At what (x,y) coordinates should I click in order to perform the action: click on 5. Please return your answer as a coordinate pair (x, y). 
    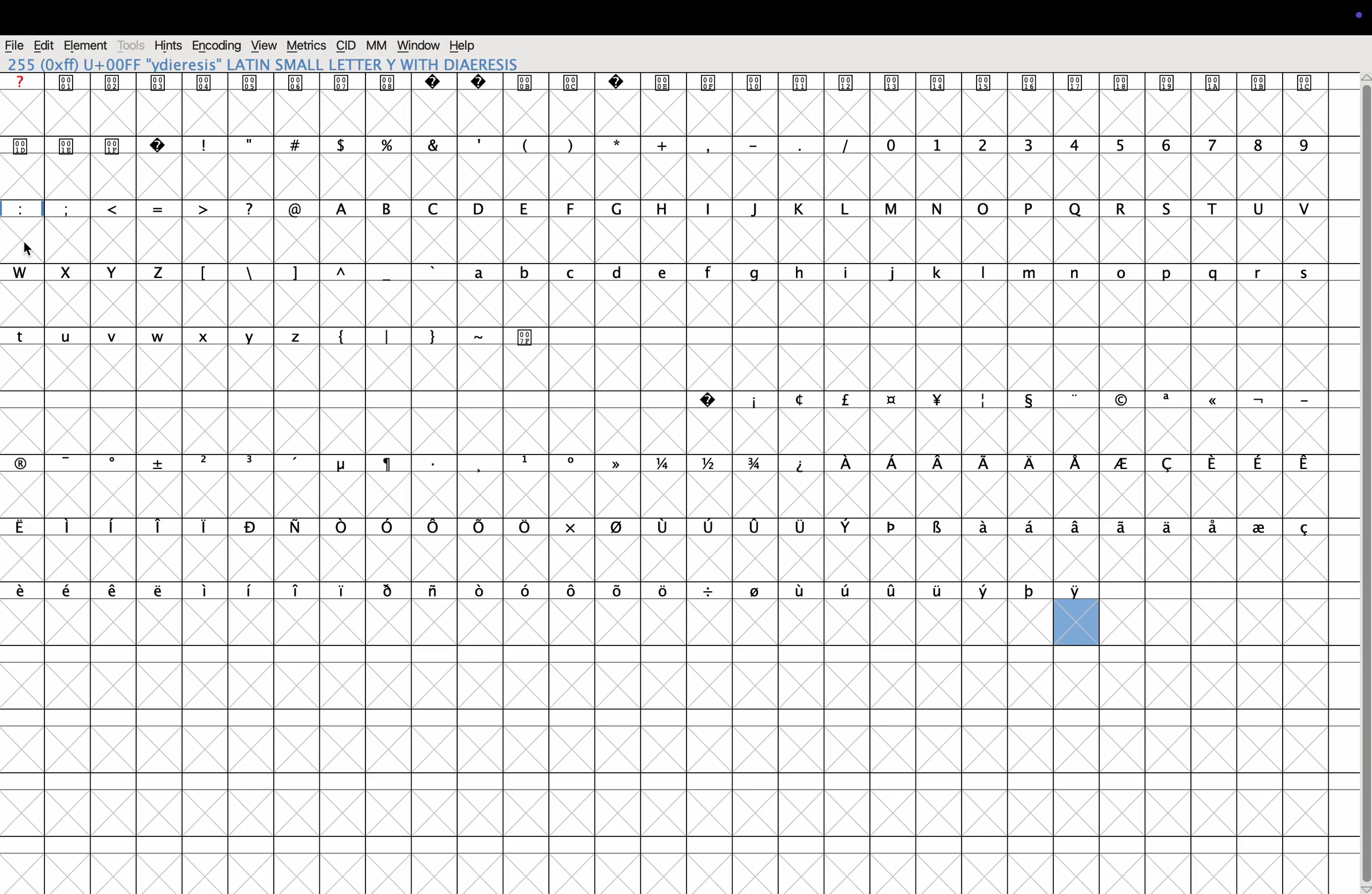
    Looking at the image, I should click on (1124, 162).